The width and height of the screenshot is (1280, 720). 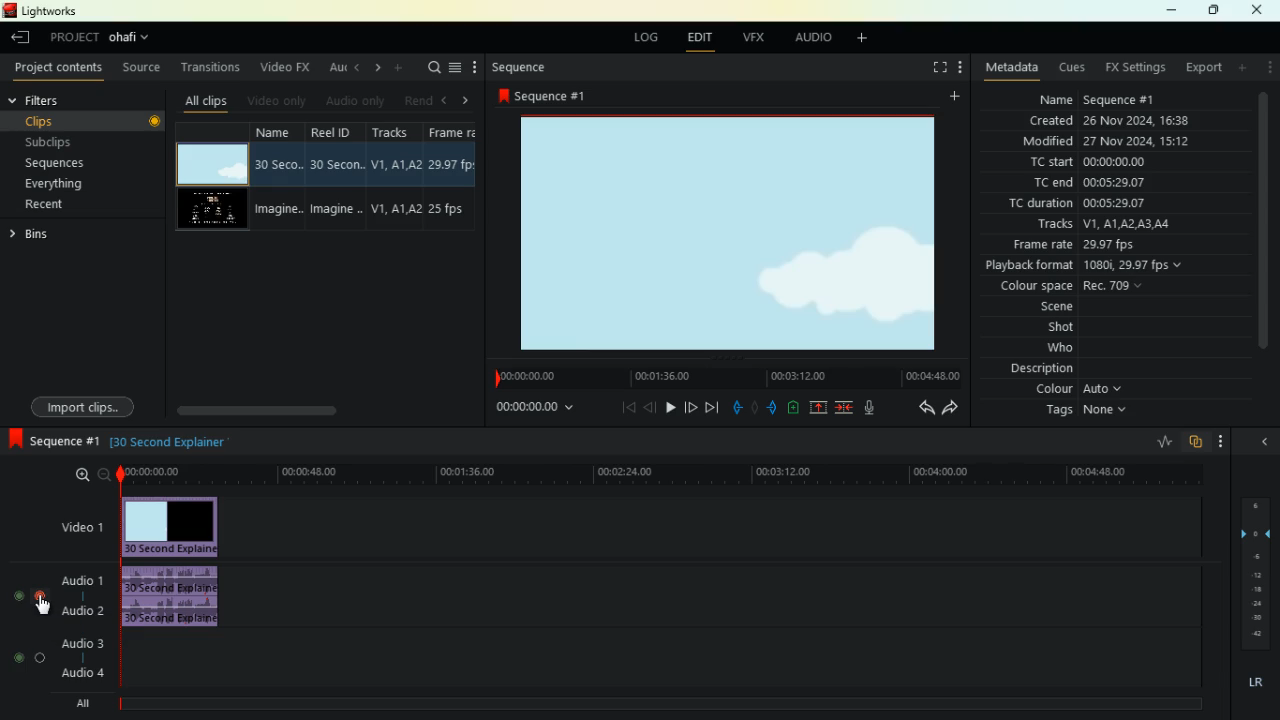 I want to click on up, so click(x=820, y=409).